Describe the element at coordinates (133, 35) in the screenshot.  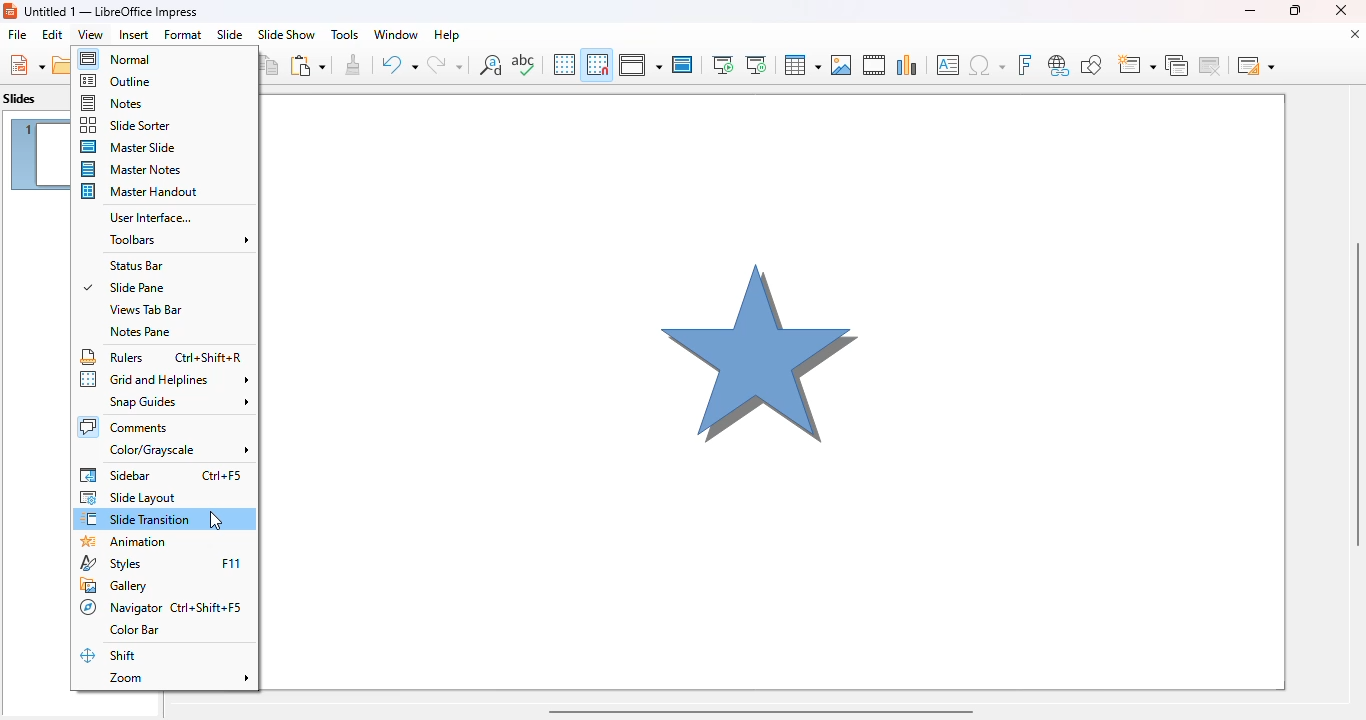
I see `insert` at that location.